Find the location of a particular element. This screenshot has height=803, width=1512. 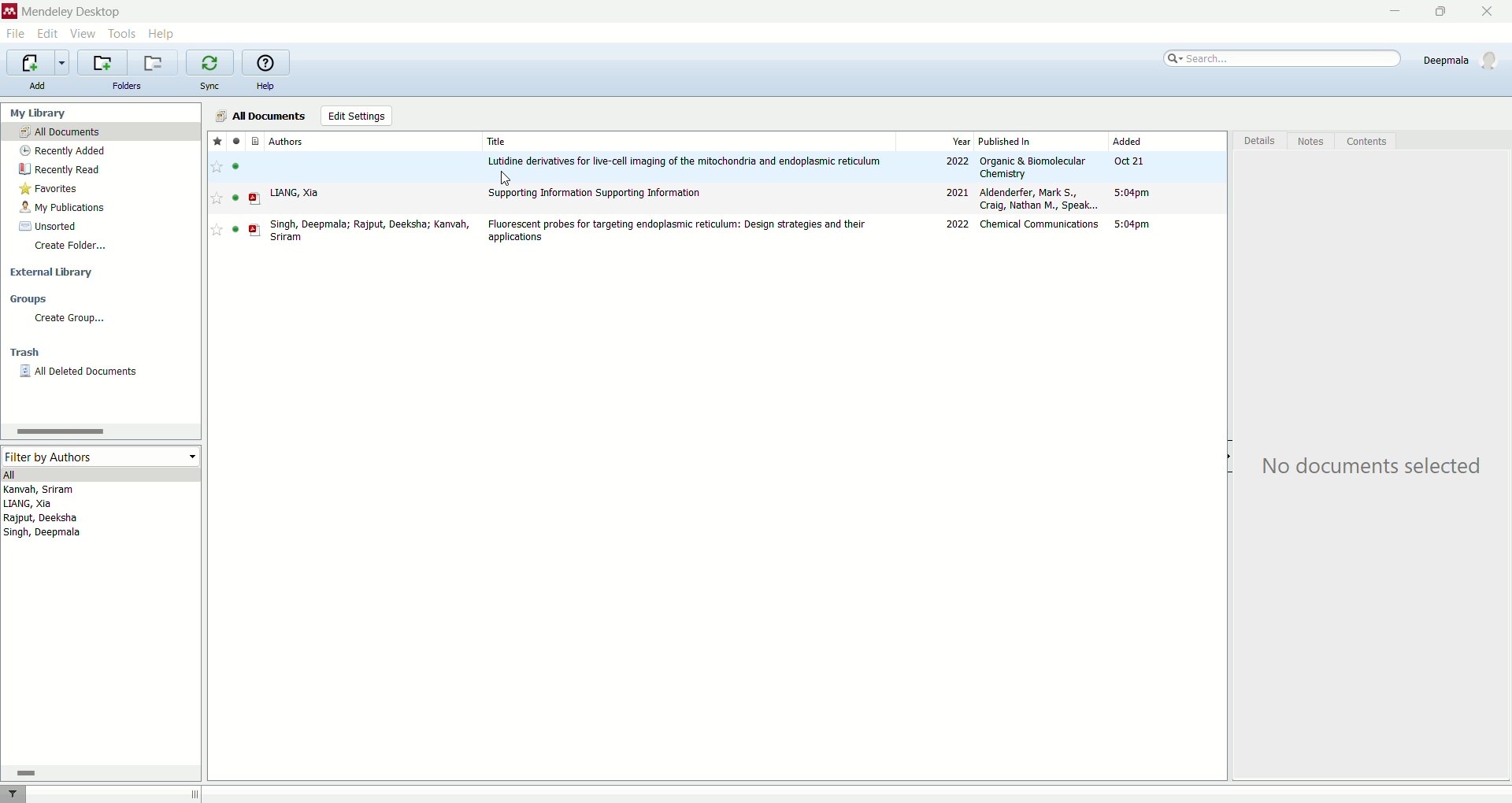

groups is located at coordinates (32, 299).